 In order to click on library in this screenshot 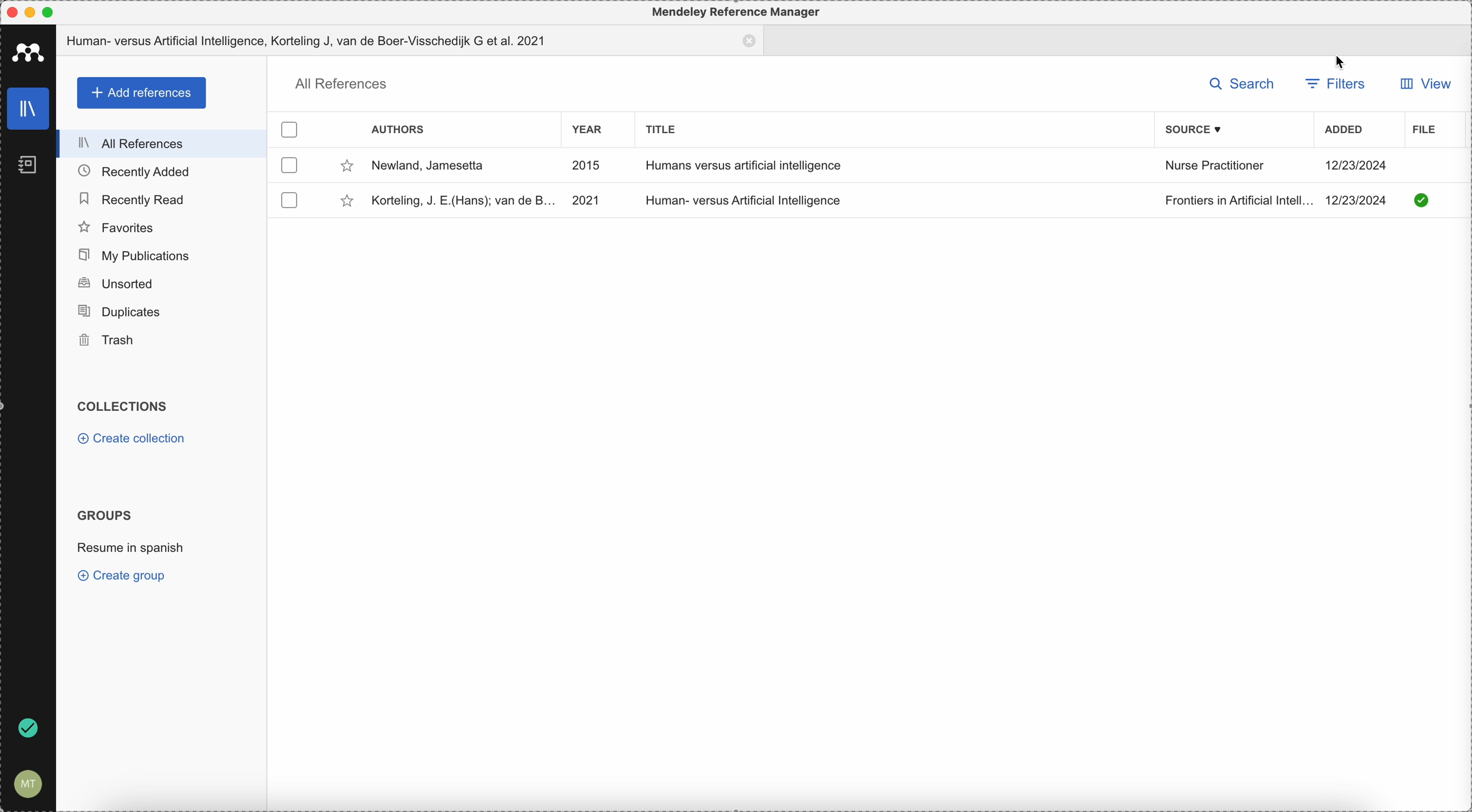, I will do `click(25, 110)`.